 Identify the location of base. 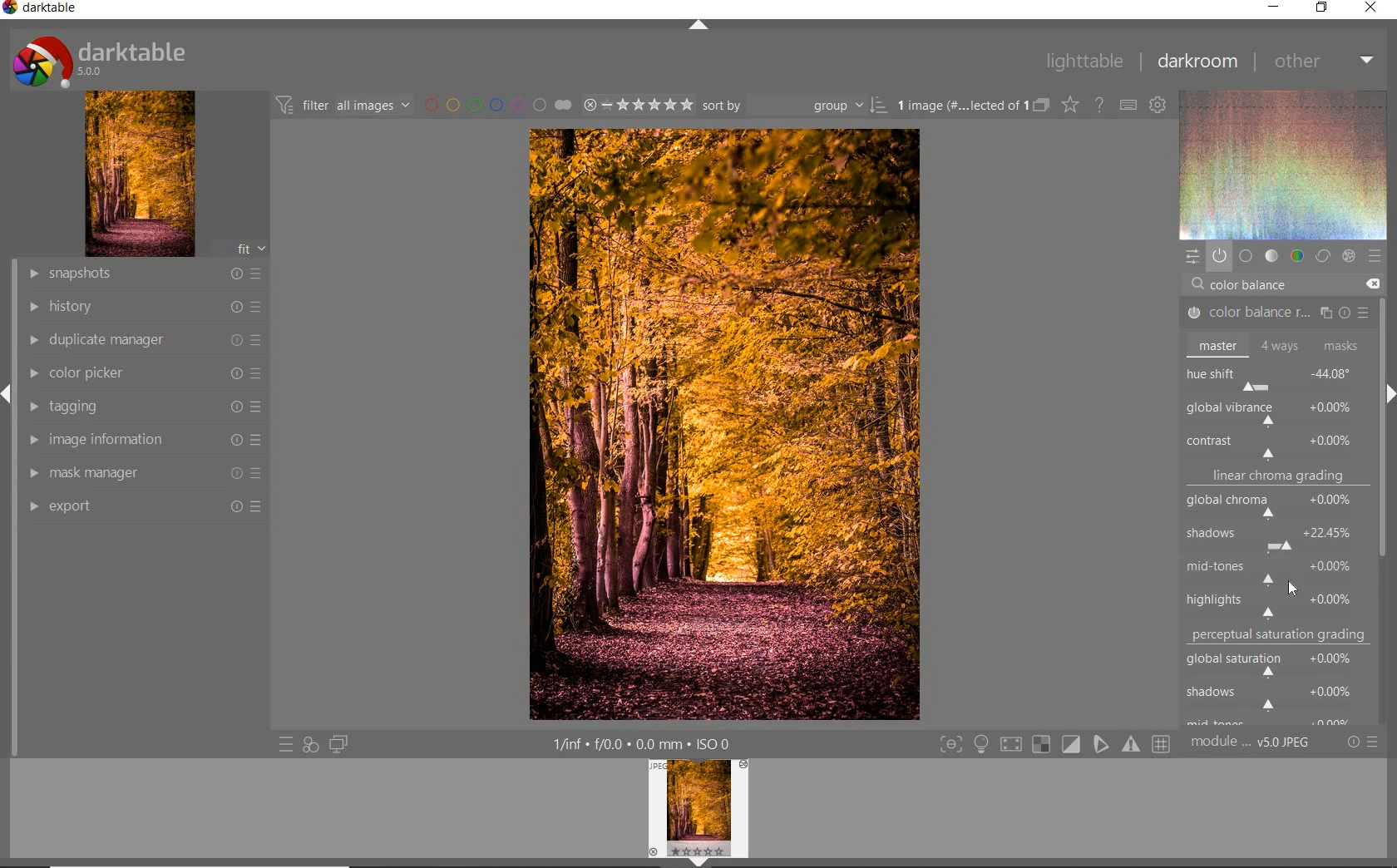
(1246, 256).